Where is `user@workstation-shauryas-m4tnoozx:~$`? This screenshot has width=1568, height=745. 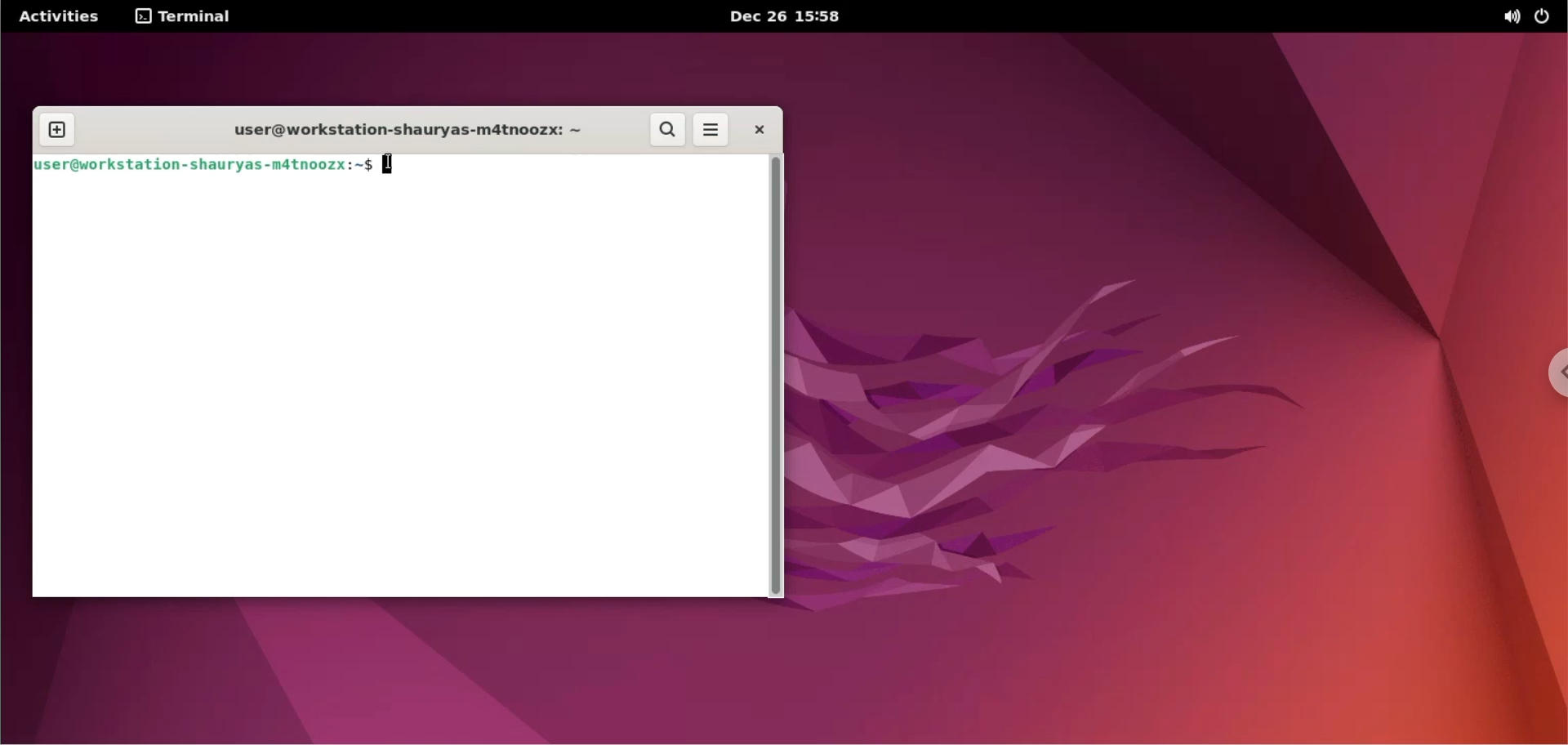 user@workstation-shauryas-m4tnoozx:~$ is located at coordinates (207, 166).